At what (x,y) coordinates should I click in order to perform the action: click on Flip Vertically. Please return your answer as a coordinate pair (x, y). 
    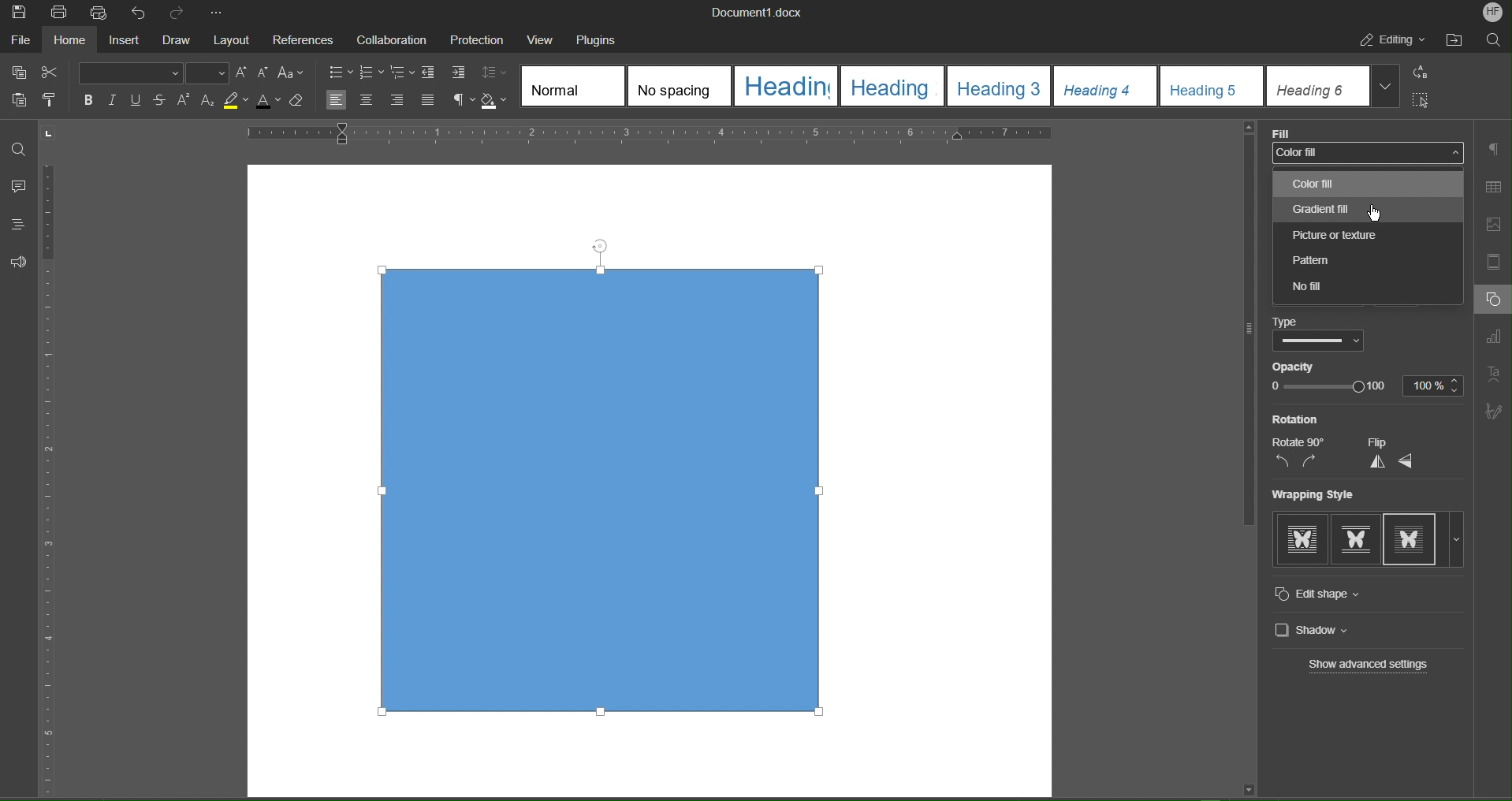
    Looking at the image, I should click on (1377, 463).